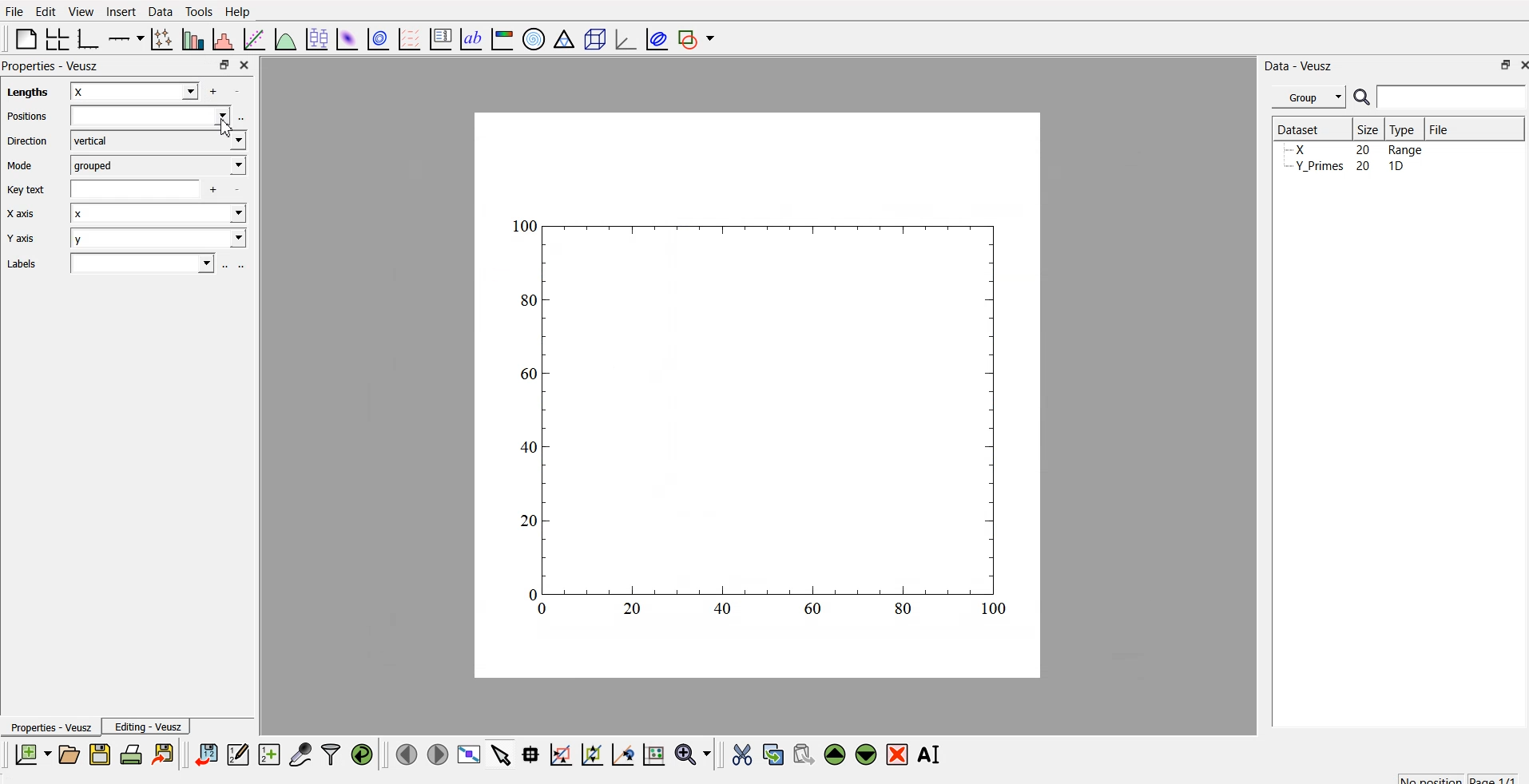 The width and height of the screenshot is (1529, 784). I want to click on Group, so click(1311, 95).